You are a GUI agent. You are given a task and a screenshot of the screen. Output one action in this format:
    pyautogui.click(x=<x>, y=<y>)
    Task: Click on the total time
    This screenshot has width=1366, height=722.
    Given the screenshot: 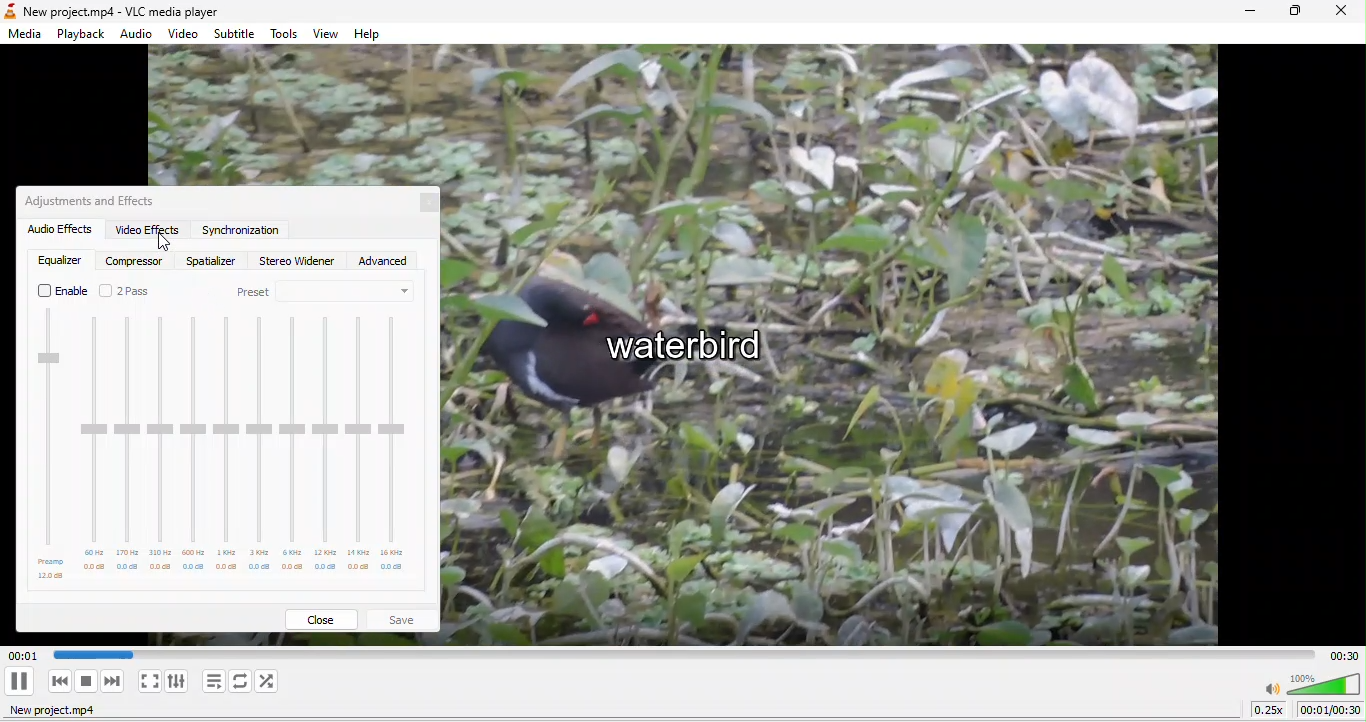 What is the action you would take?
    pyautogui.click(x=1339, y=654)
    